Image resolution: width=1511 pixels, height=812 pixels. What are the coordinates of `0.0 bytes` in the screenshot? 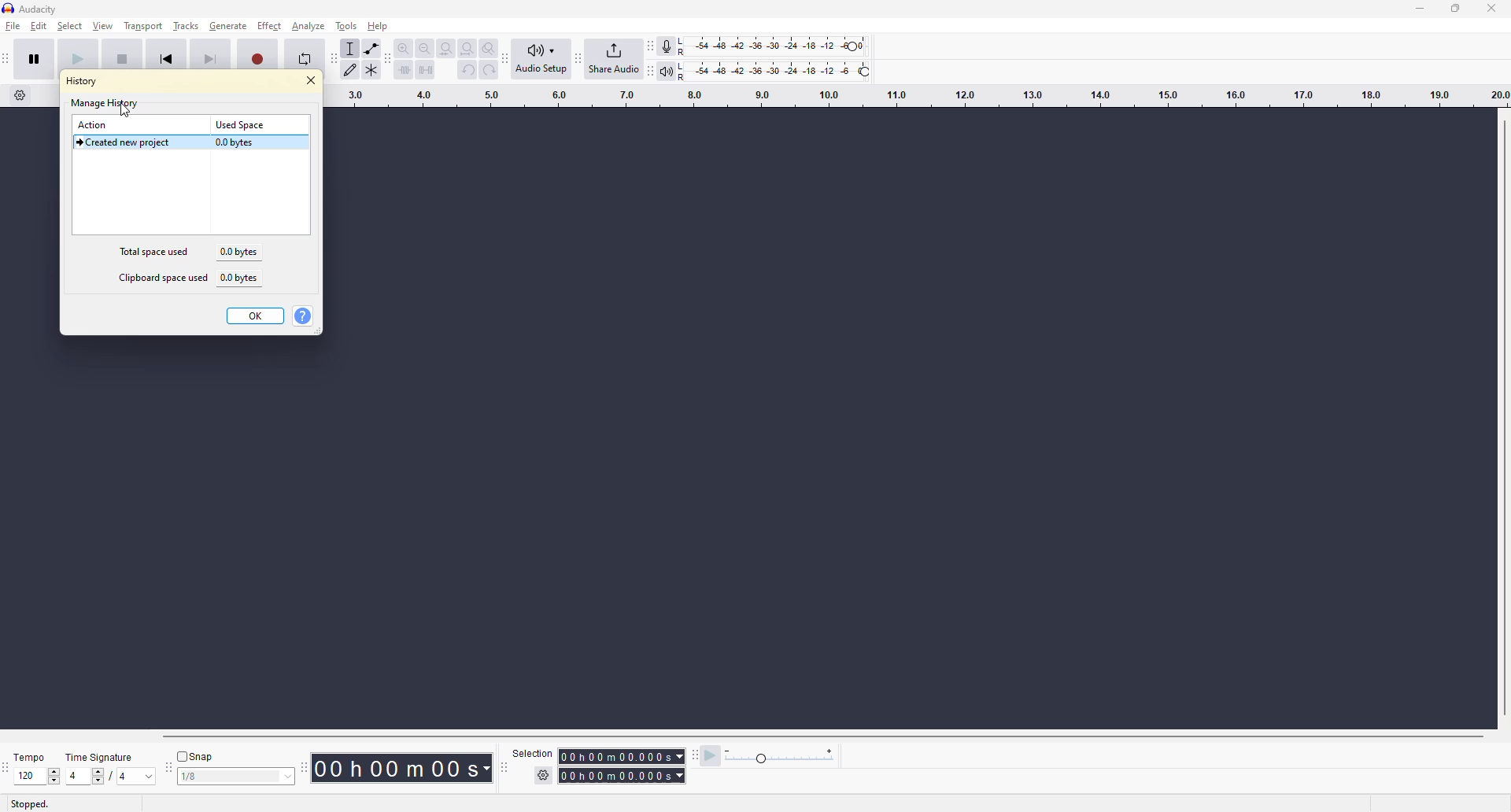 It's located at (243, 279).